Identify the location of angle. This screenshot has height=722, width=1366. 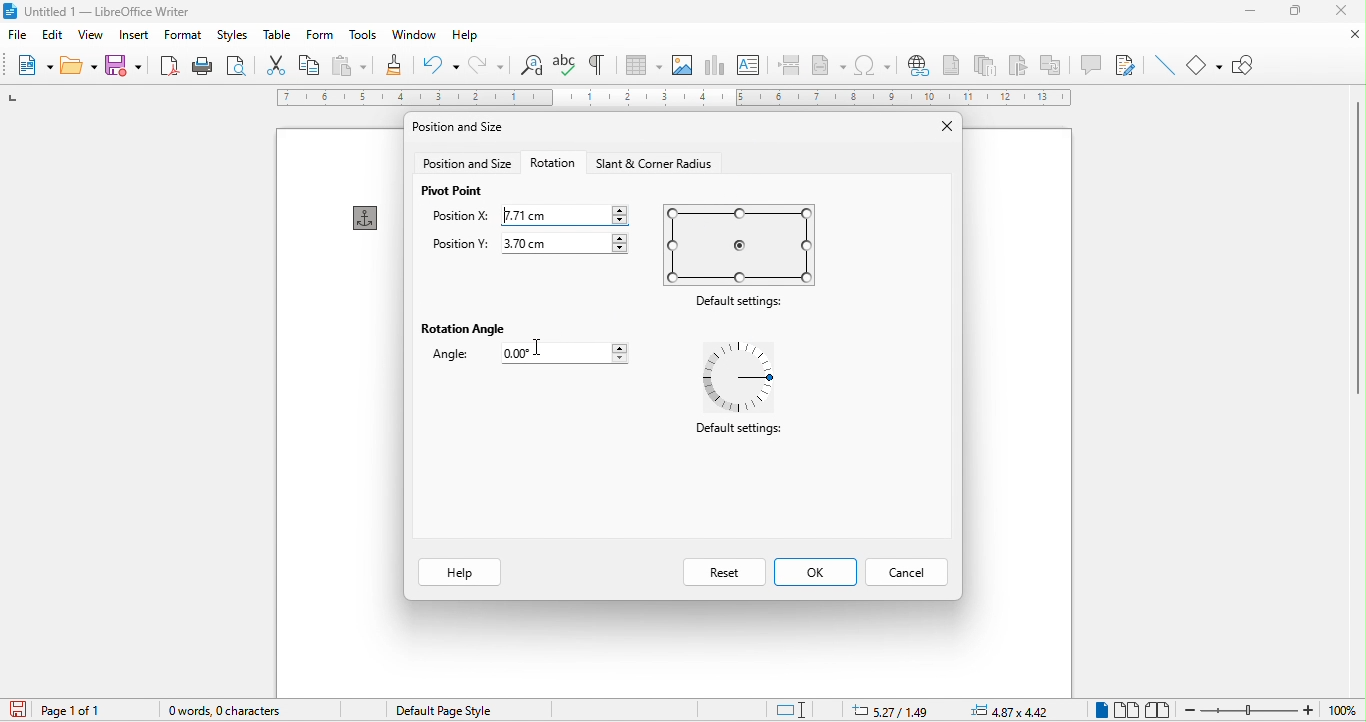
(445, 355).